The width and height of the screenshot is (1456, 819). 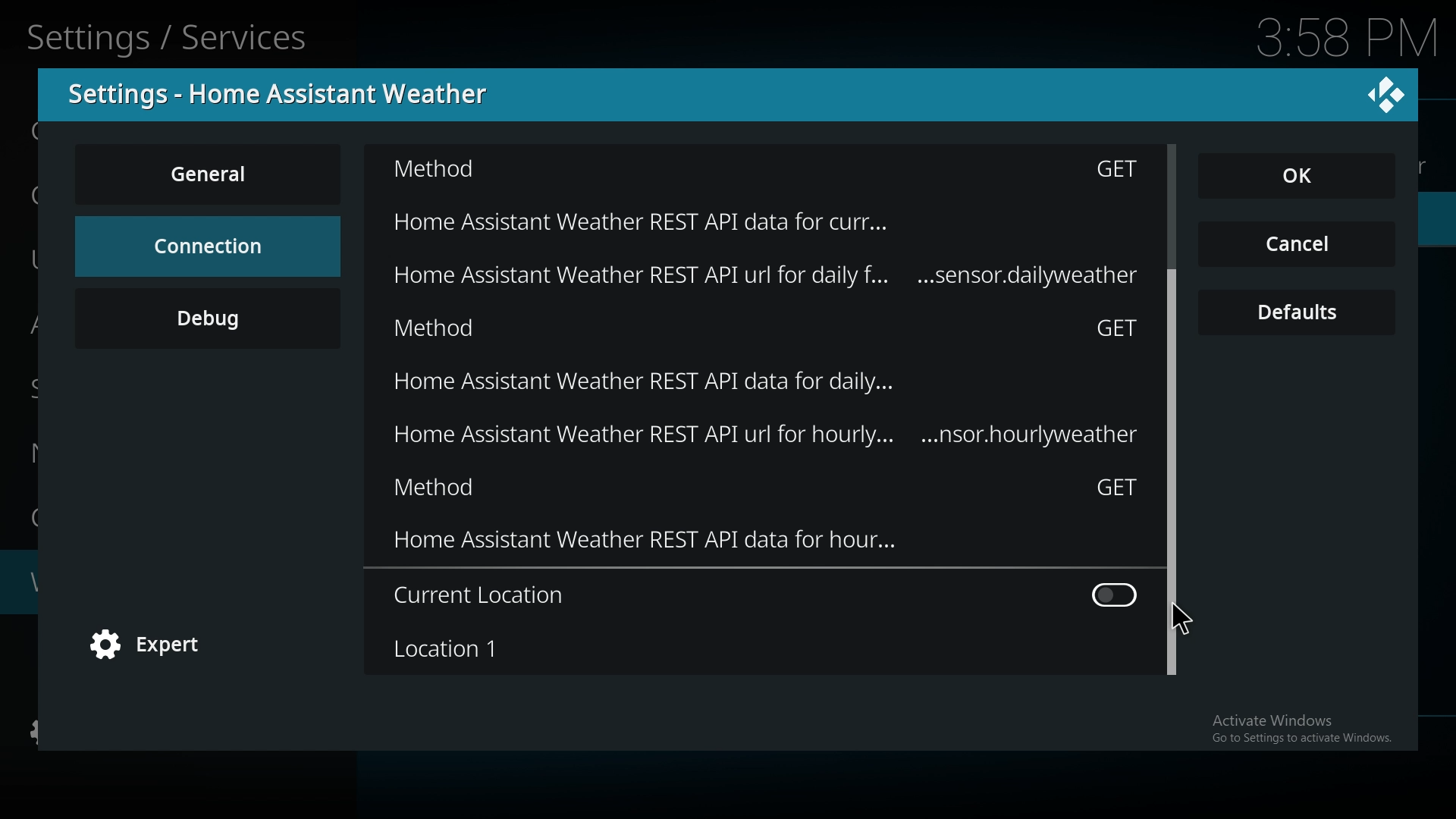 I want to click on general, so click(x=211, y=174).